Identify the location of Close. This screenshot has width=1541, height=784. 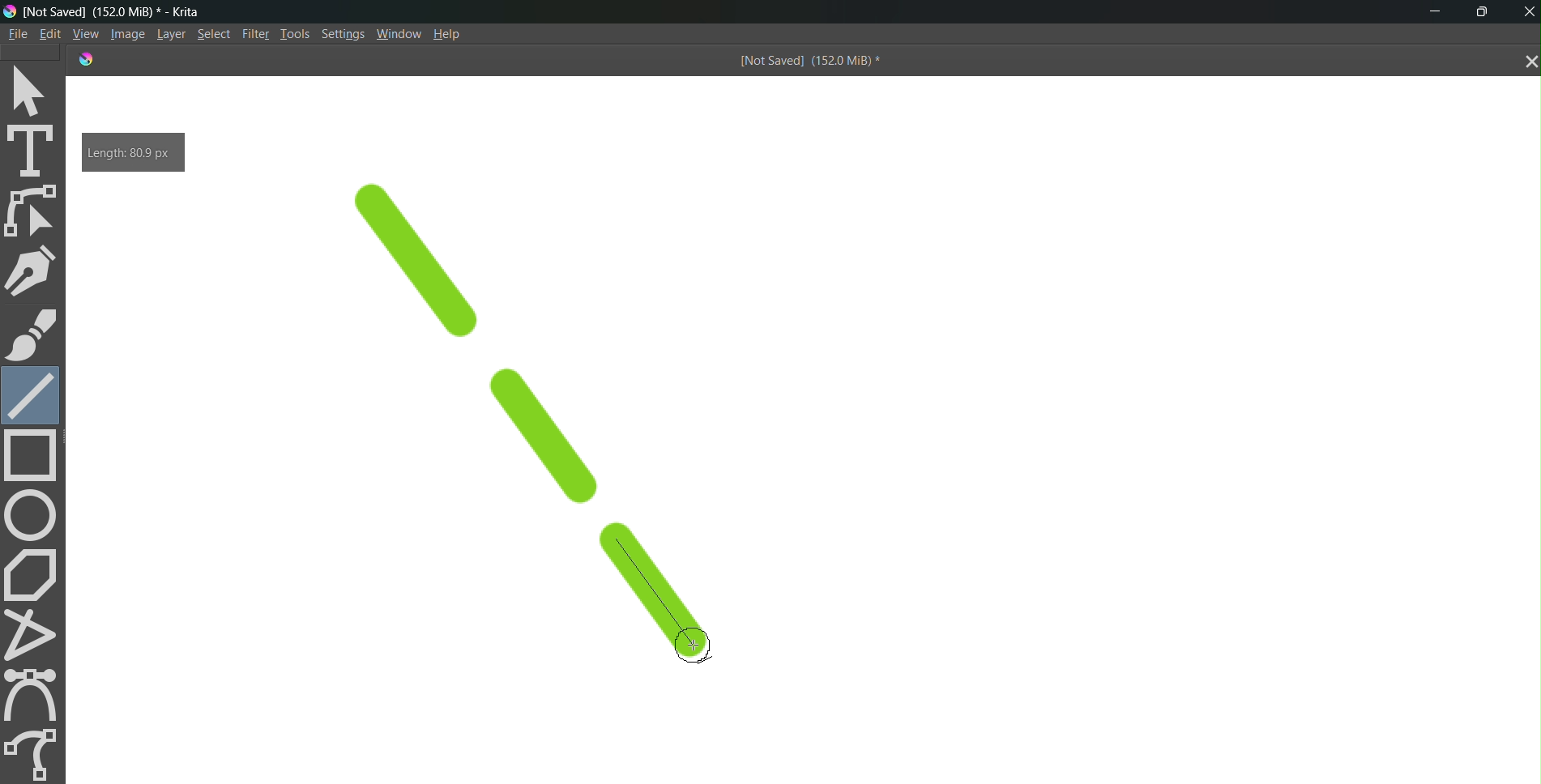
(1526, 11).